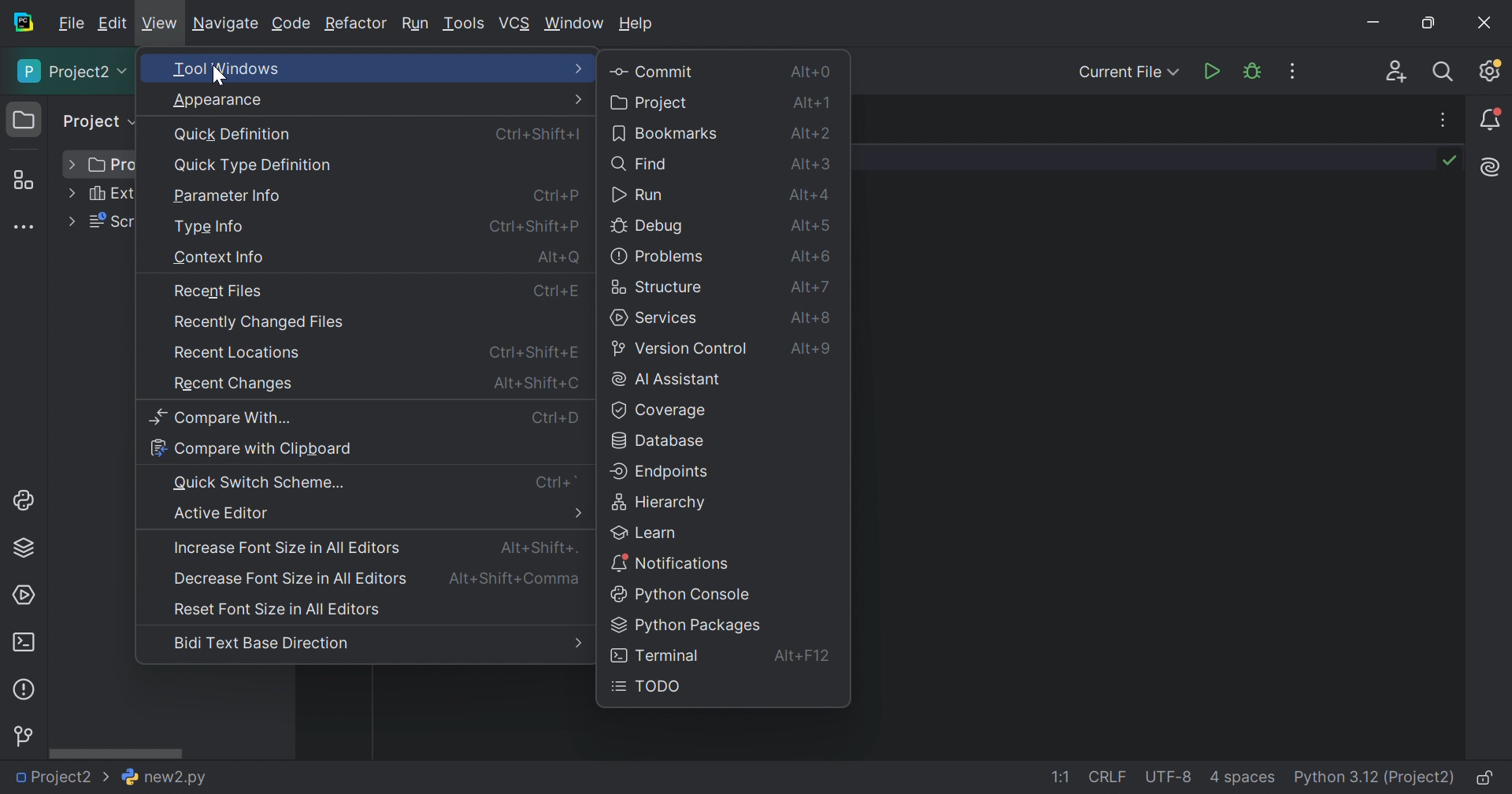 The width and height of the screenshot is (1512, 794). What do you see at coordinates (291, 580) in the screenshot?
I see `Decrease font size in all edotors` at bounding box center [291, 580].